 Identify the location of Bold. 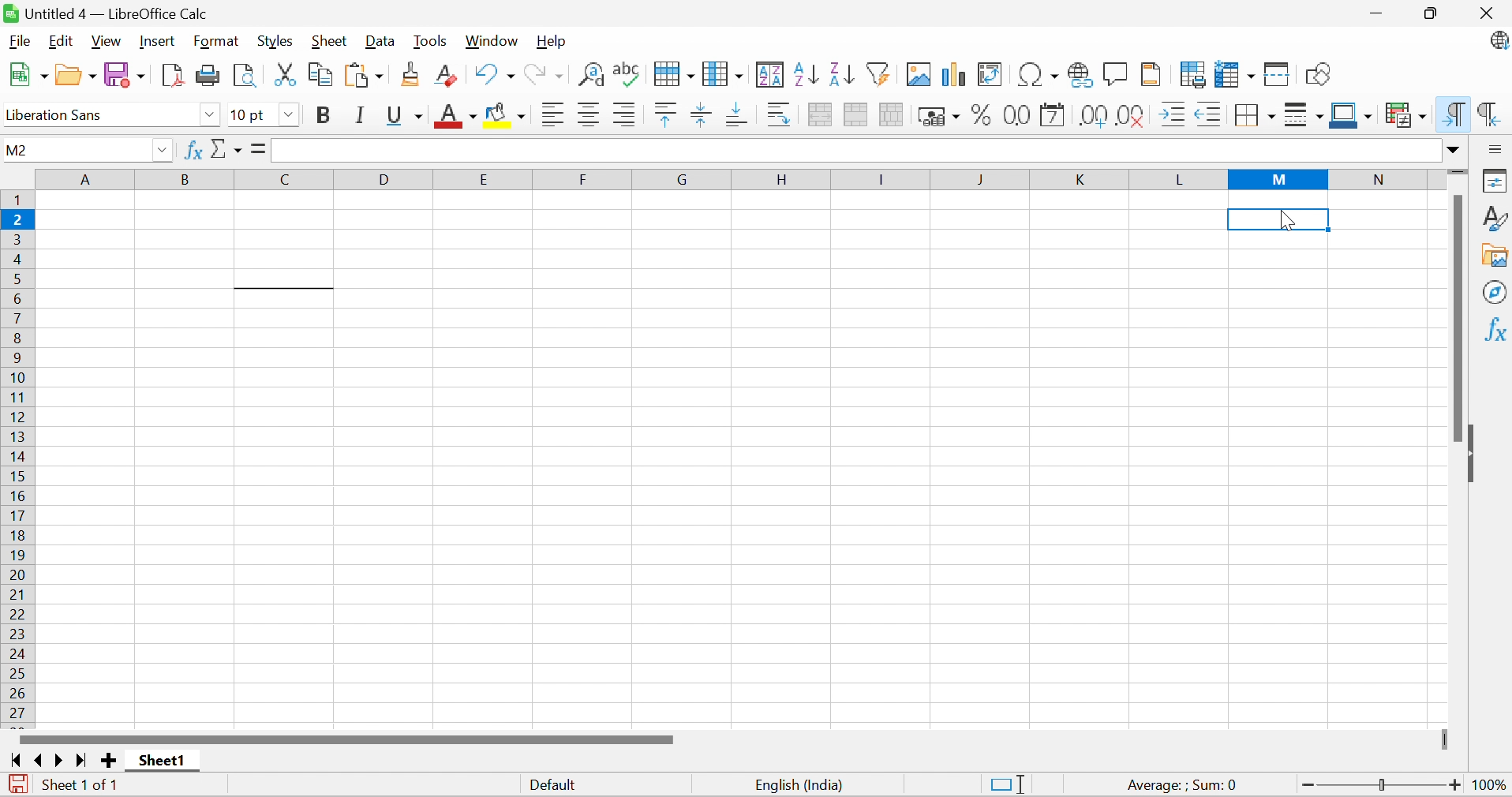
(322, 115).